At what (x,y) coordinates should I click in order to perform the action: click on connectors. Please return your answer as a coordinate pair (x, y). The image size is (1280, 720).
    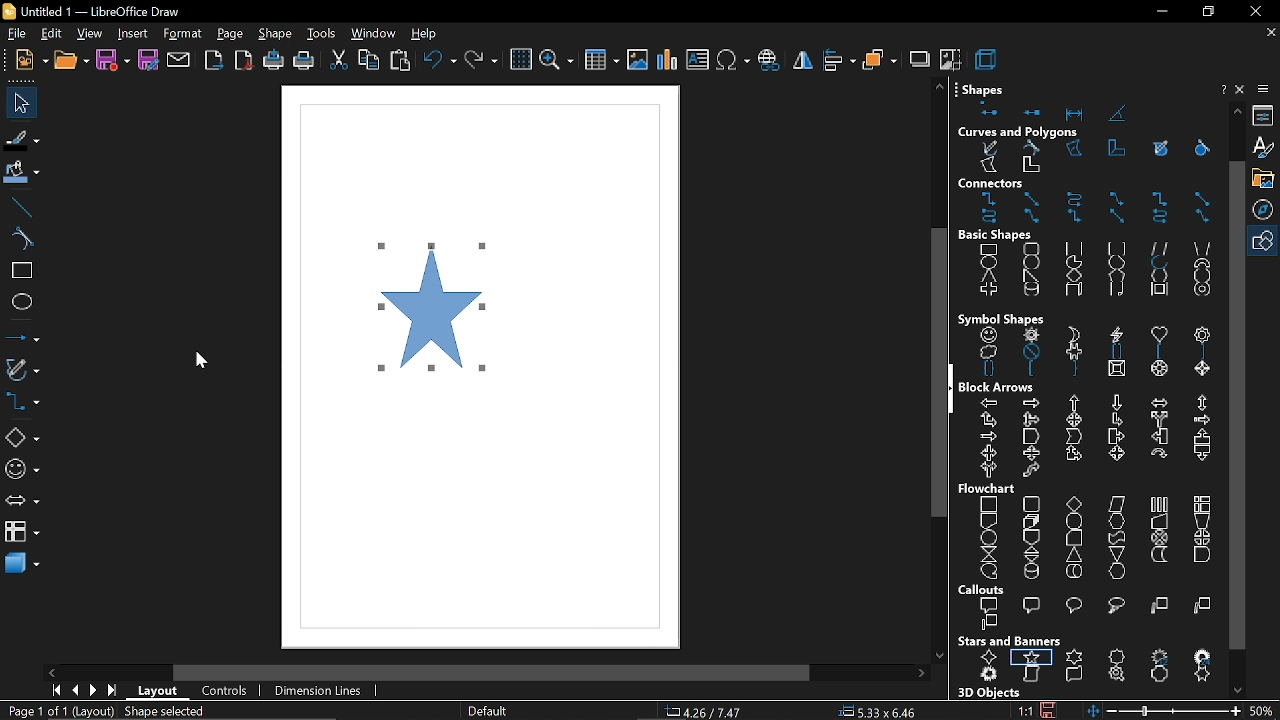
    Looking at the image, I should click on (992, 184).